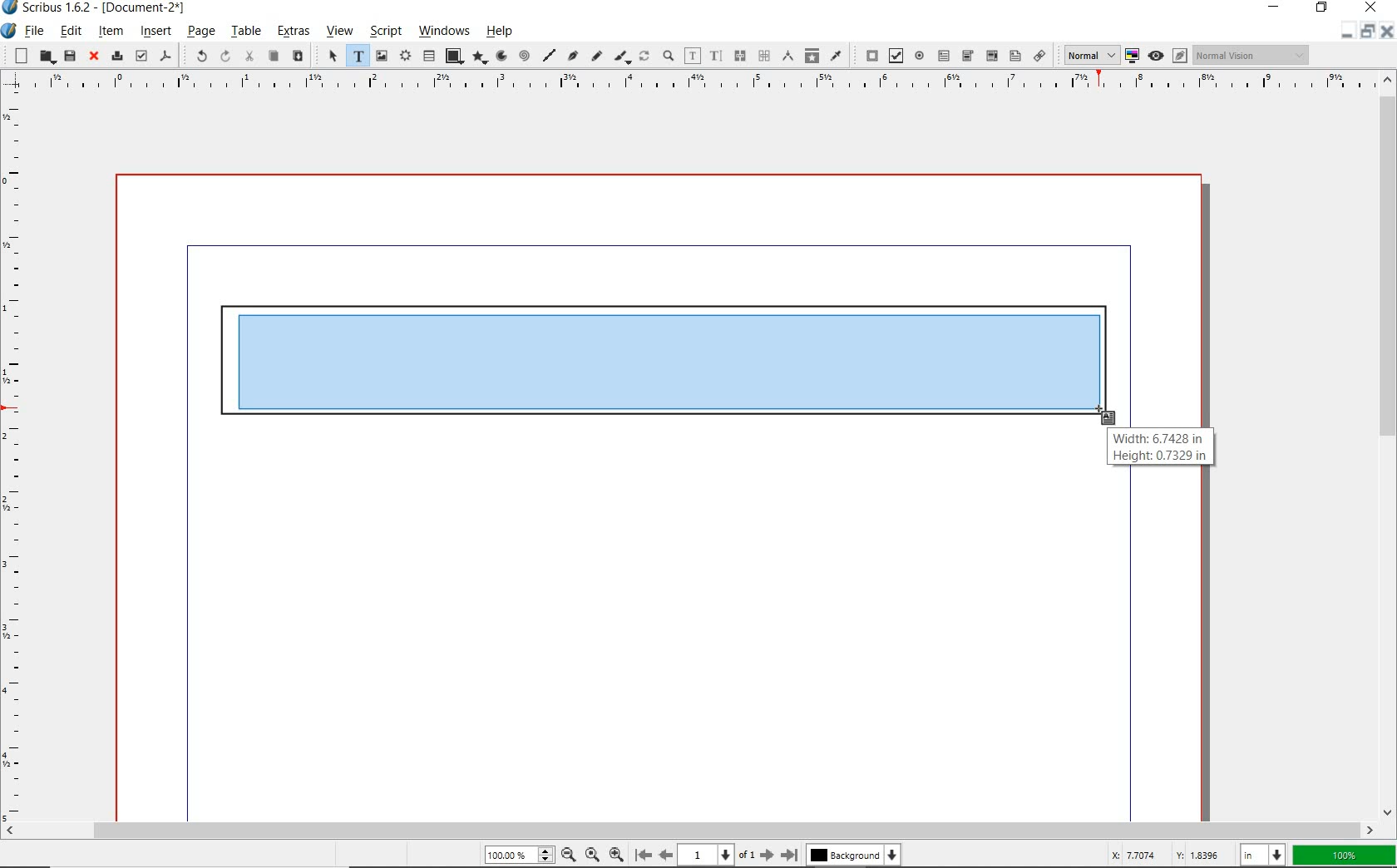  Describe the element at coordinates (665, 853) in the screenshot. I see `move to previous` at that location.